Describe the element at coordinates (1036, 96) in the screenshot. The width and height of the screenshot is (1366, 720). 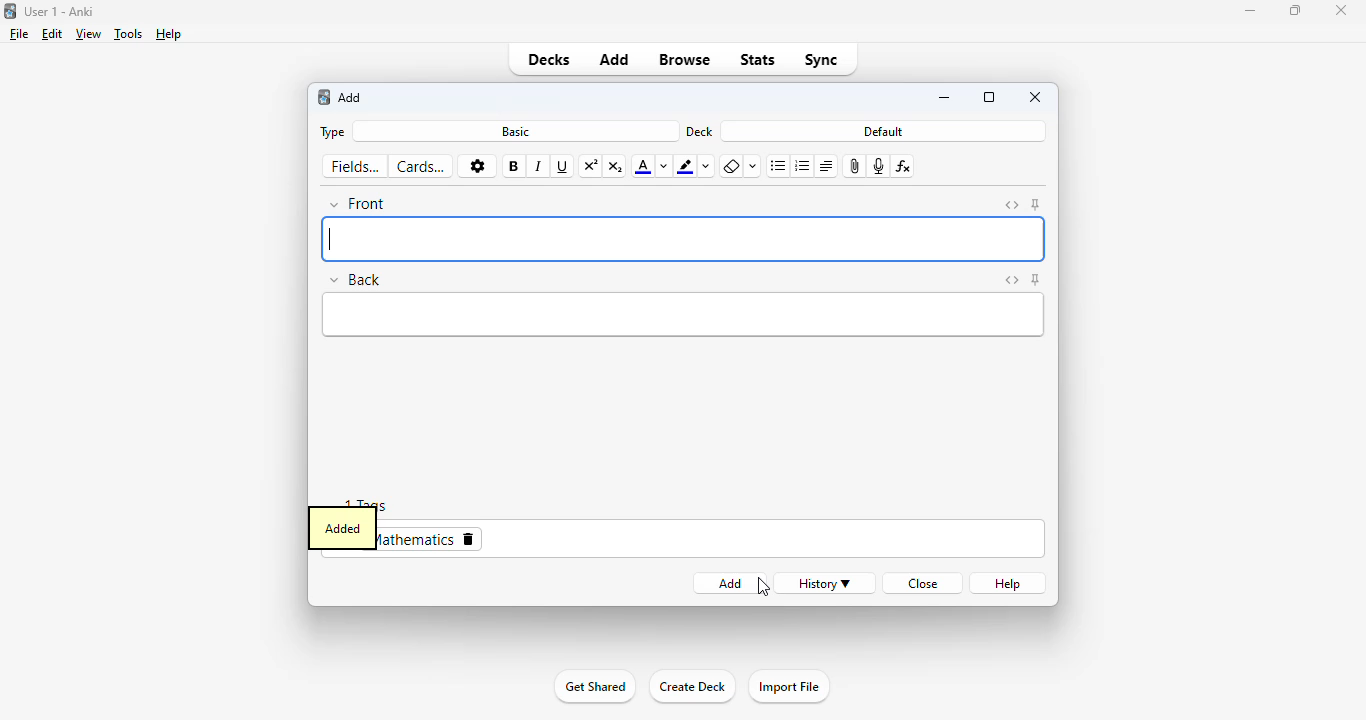
I see `close` at that location.